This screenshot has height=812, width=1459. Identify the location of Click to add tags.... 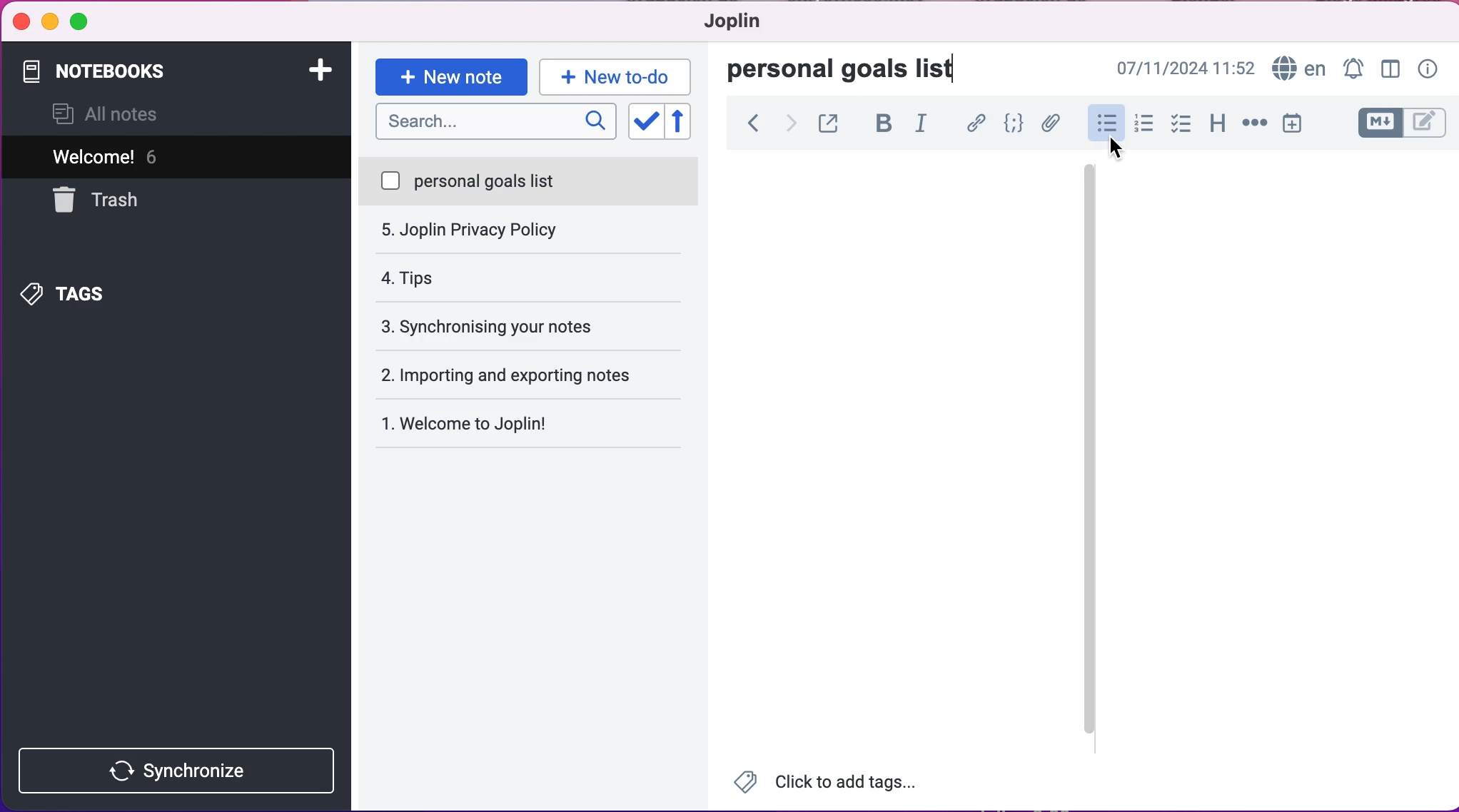
(834, 783).